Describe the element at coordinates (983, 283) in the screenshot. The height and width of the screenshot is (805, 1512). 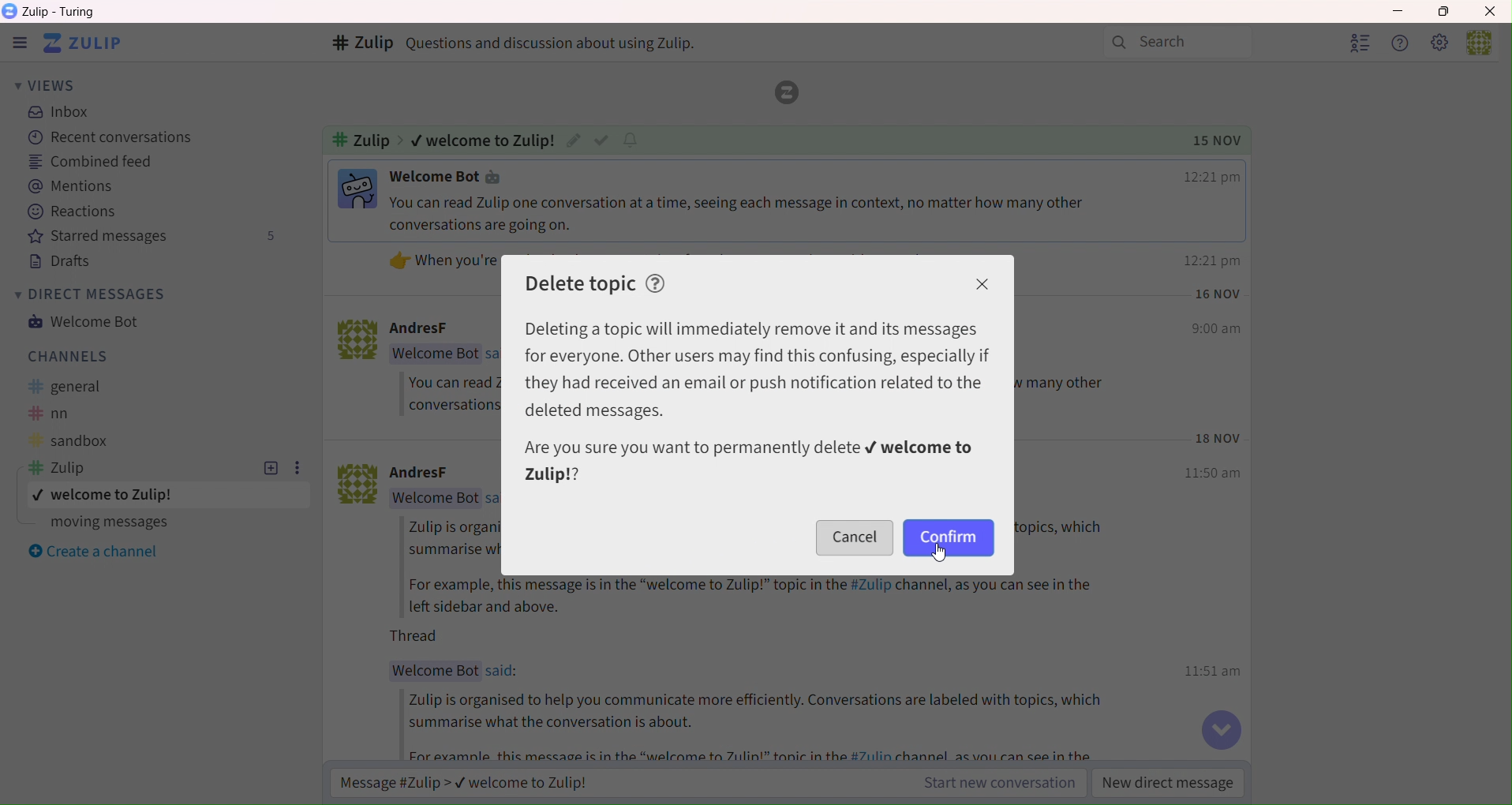
I see `Close` at that location.